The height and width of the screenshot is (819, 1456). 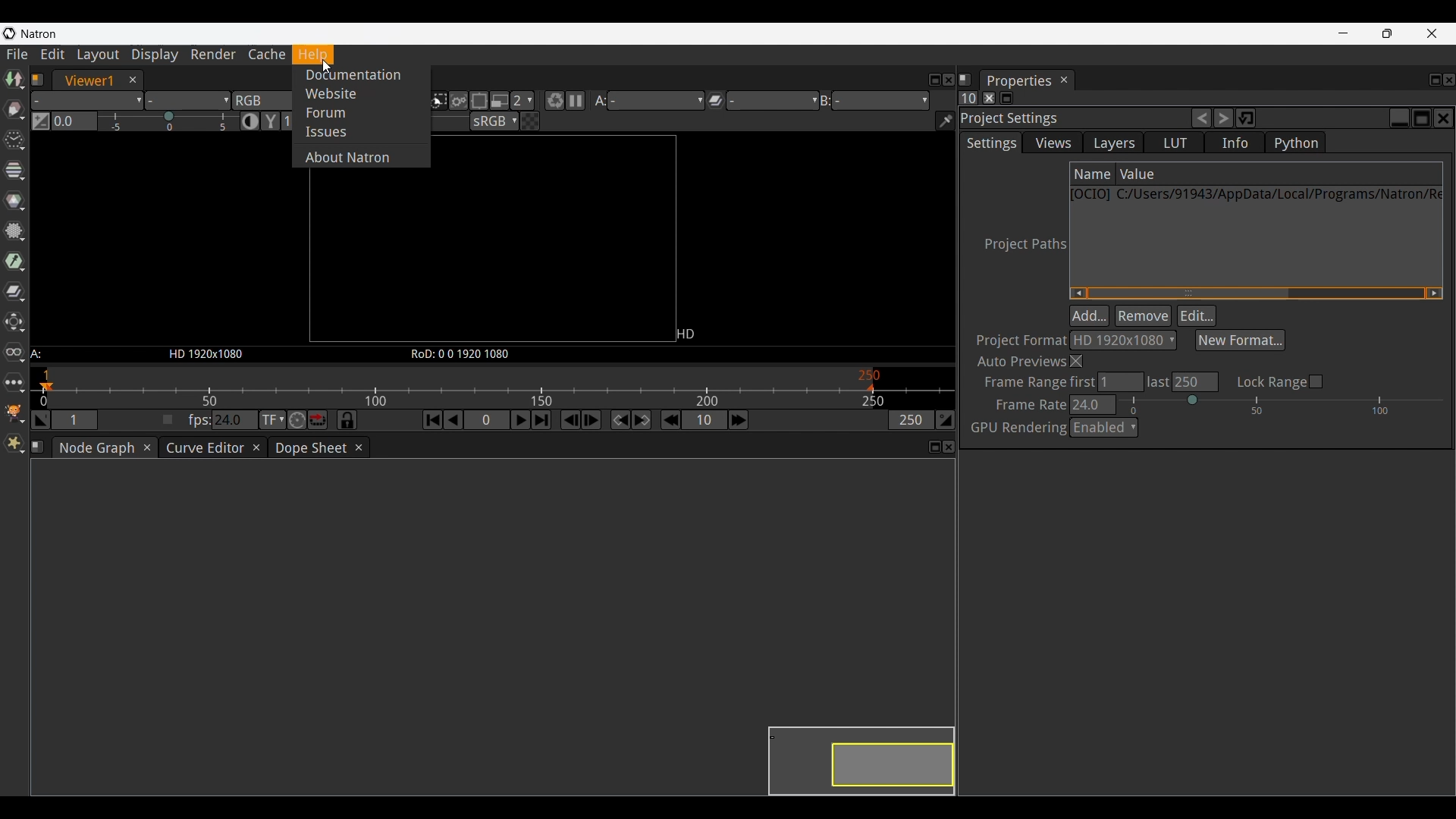 What do you see at coordinates (1280, 405) in the screenshot?
I see `Frame rate slider` at bounding box center [1280, 405].